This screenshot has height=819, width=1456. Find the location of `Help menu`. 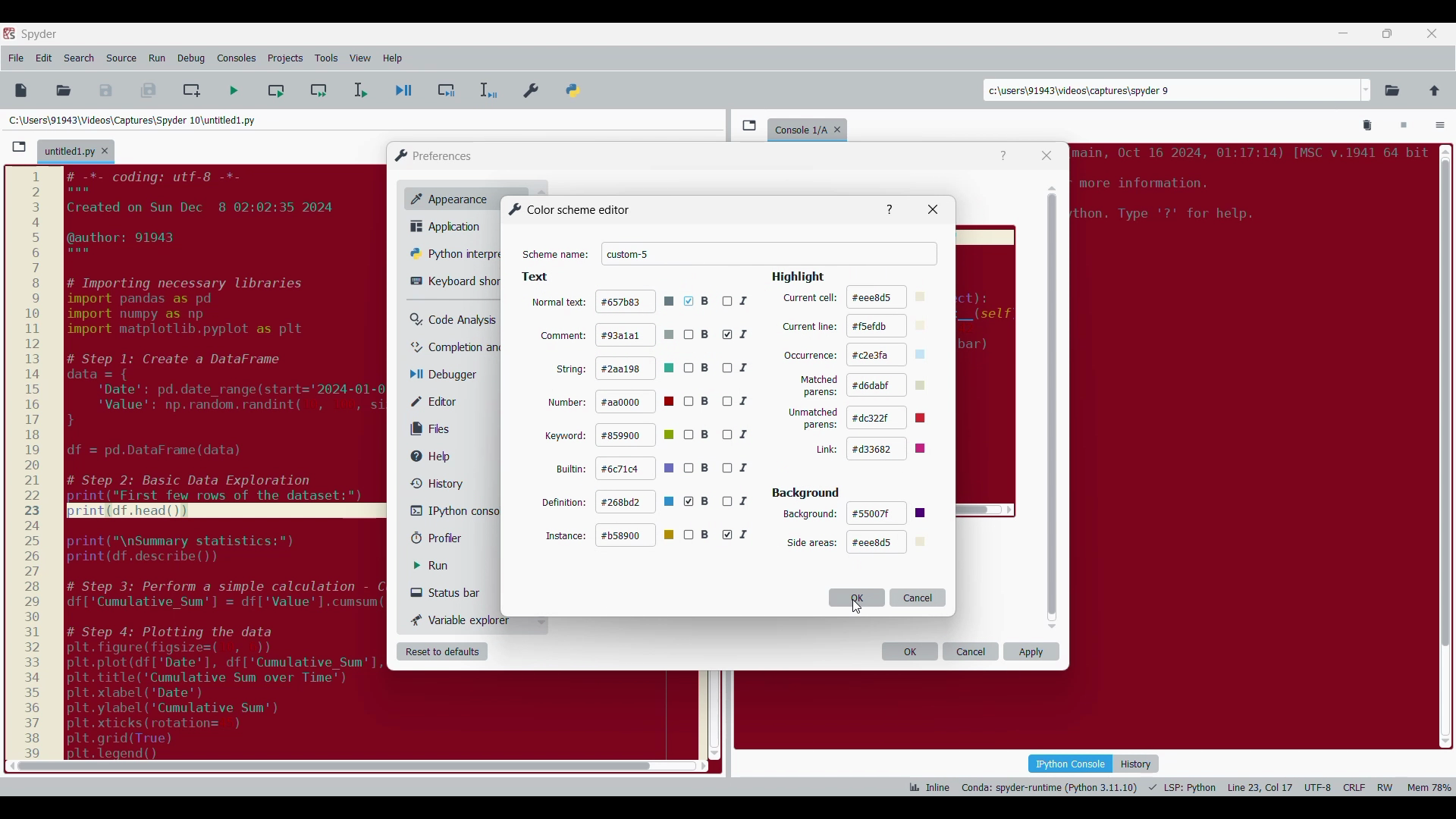

Help menu is located at coordinates (392, 58).